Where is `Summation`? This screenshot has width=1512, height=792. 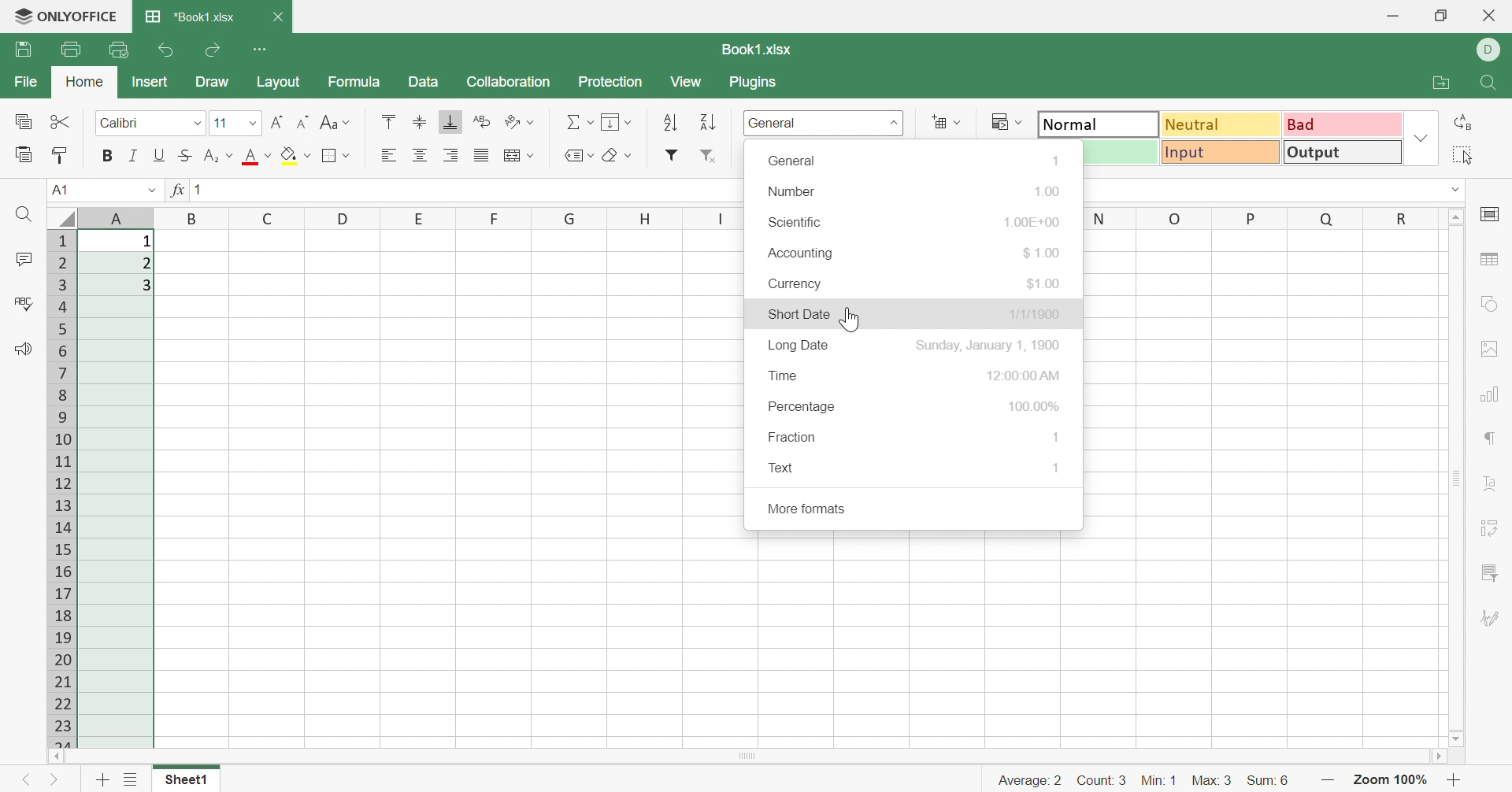
Summation is located at coordinates (580, 123).